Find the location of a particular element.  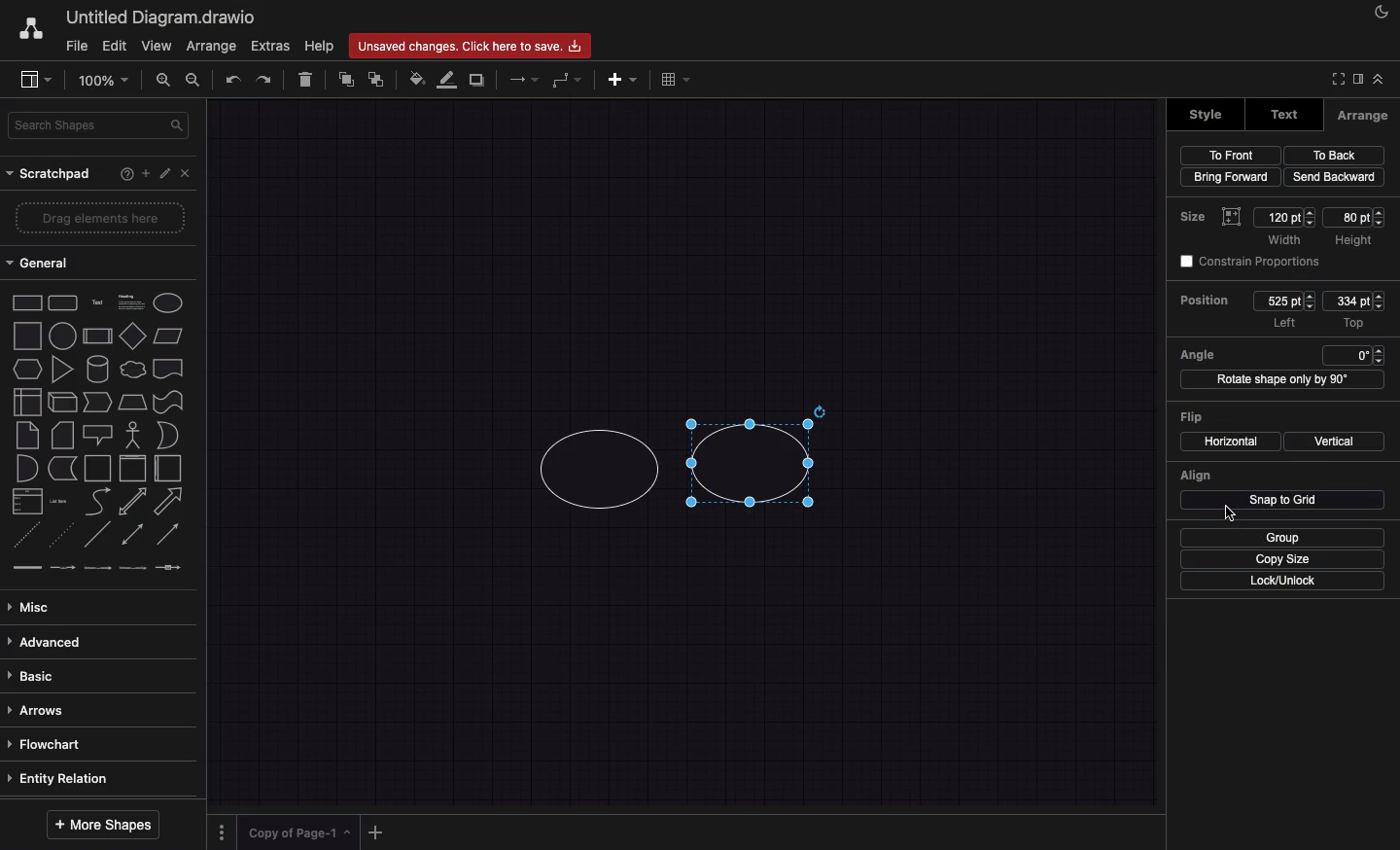

align is located at coordinates (1195, 475).